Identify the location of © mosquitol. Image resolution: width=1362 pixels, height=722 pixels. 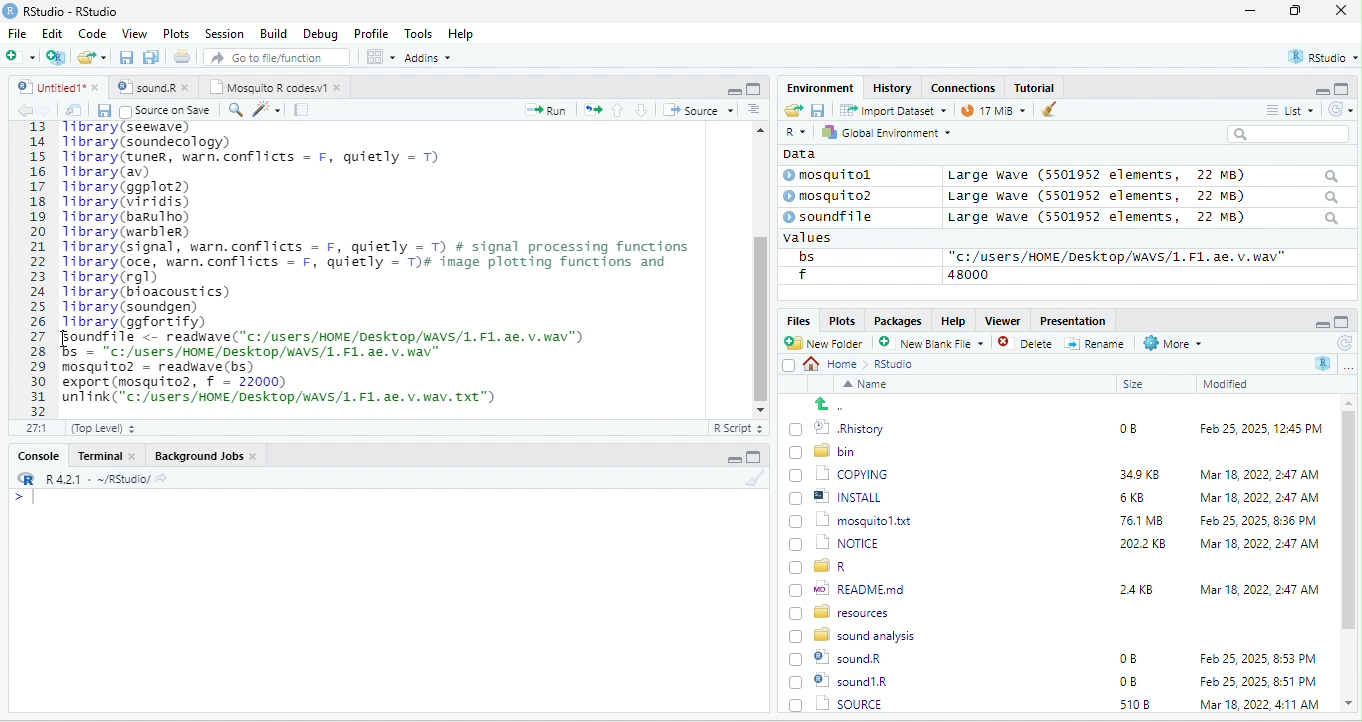
(842, 175).